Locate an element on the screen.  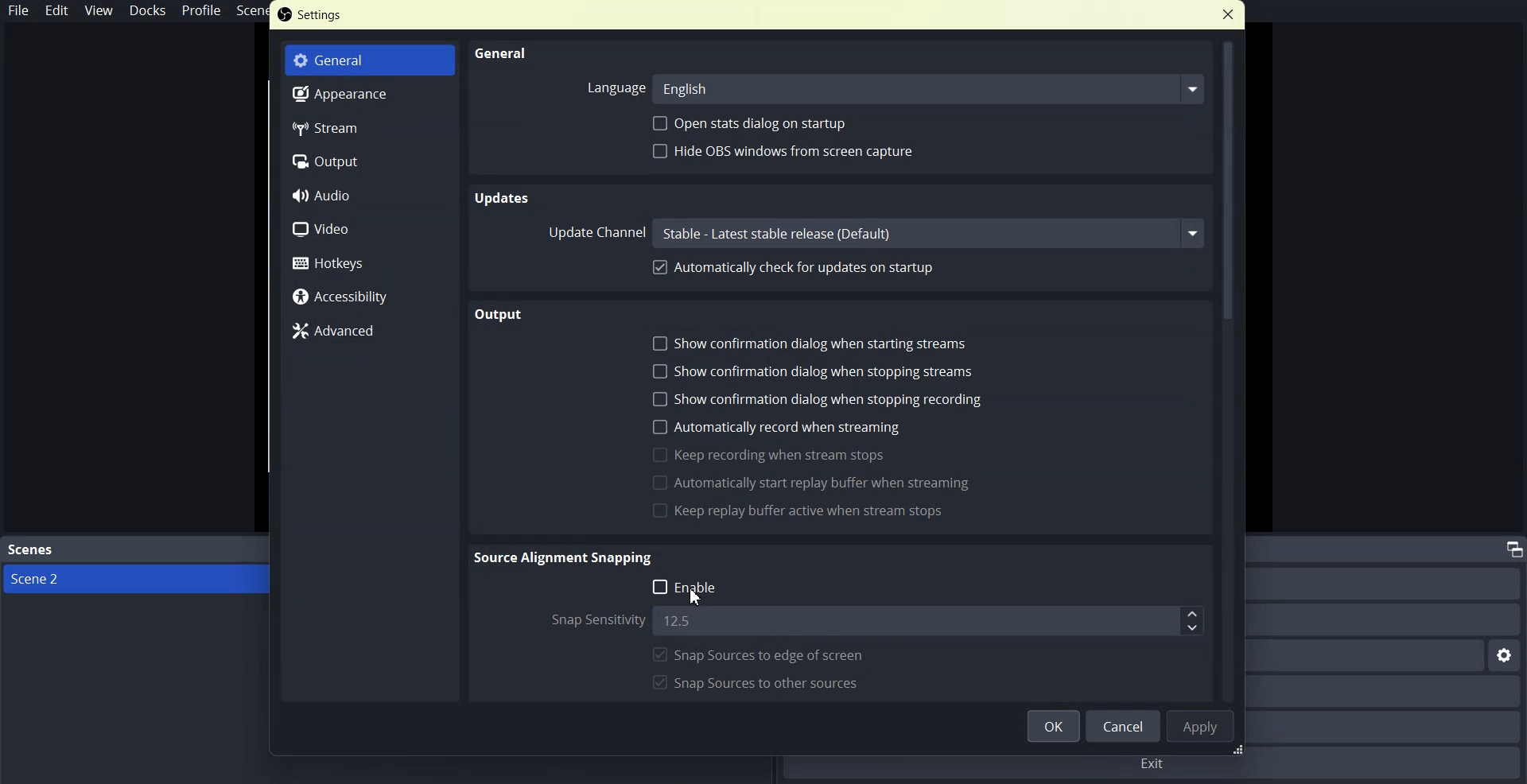
Close is located at coordinates (1229, 15).